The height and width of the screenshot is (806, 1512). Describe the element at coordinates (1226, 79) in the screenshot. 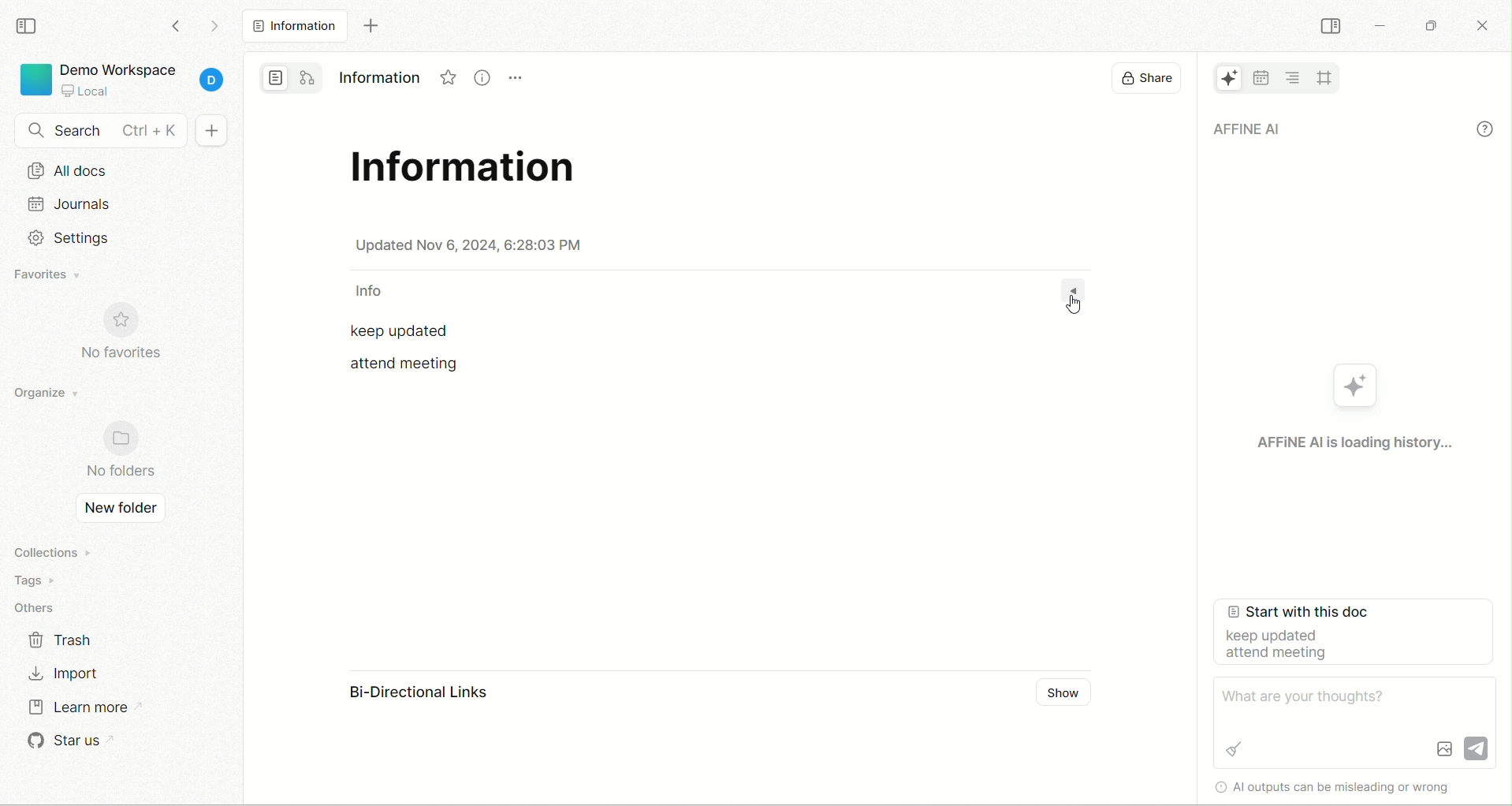

I see `AFFiNE AI` at that location.